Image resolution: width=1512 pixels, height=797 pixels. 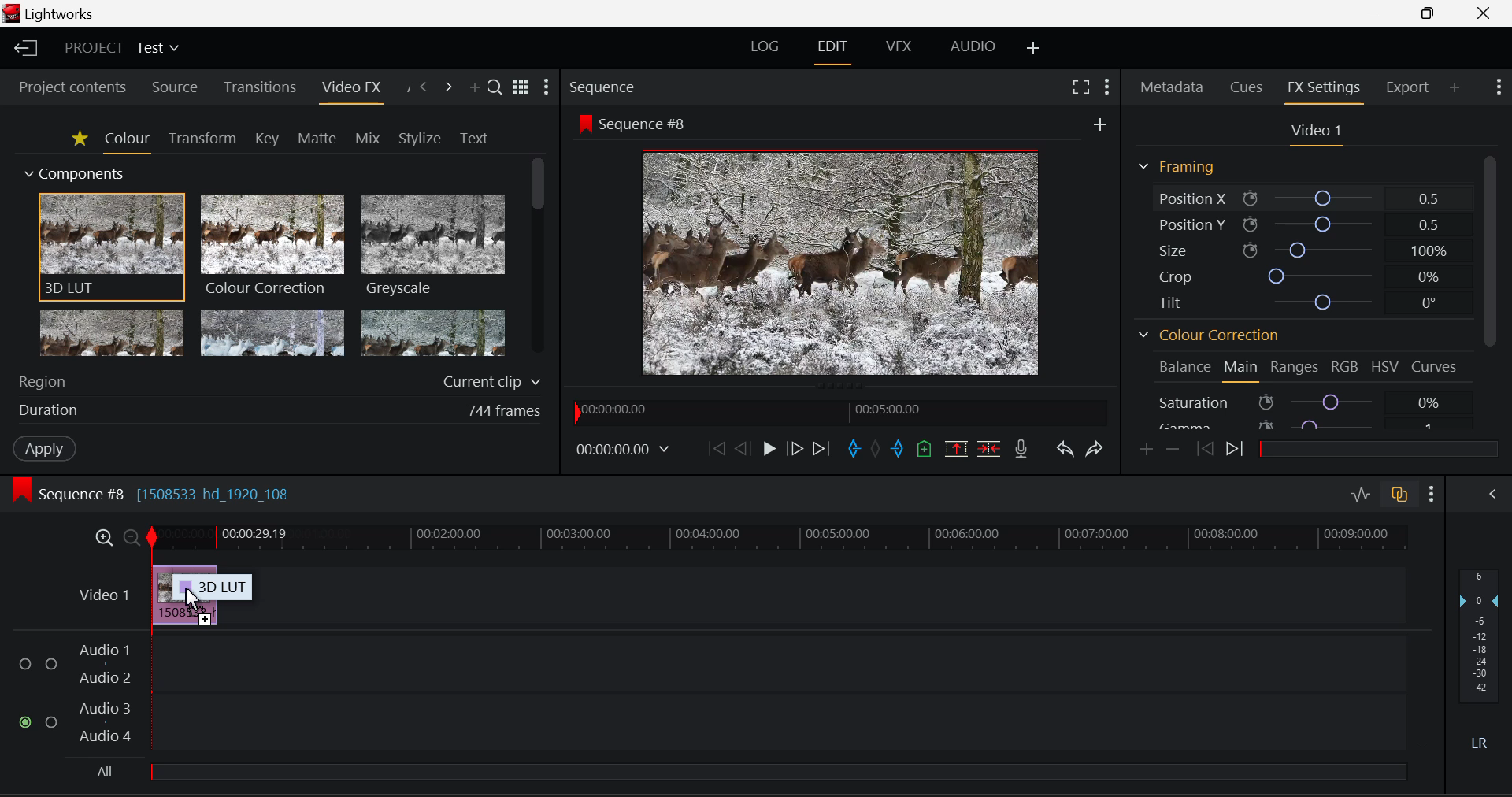 What do you see at coordinates (1320, 135) in the screenshot?
I see `Video Settings` at bounding box center [1320, 135].